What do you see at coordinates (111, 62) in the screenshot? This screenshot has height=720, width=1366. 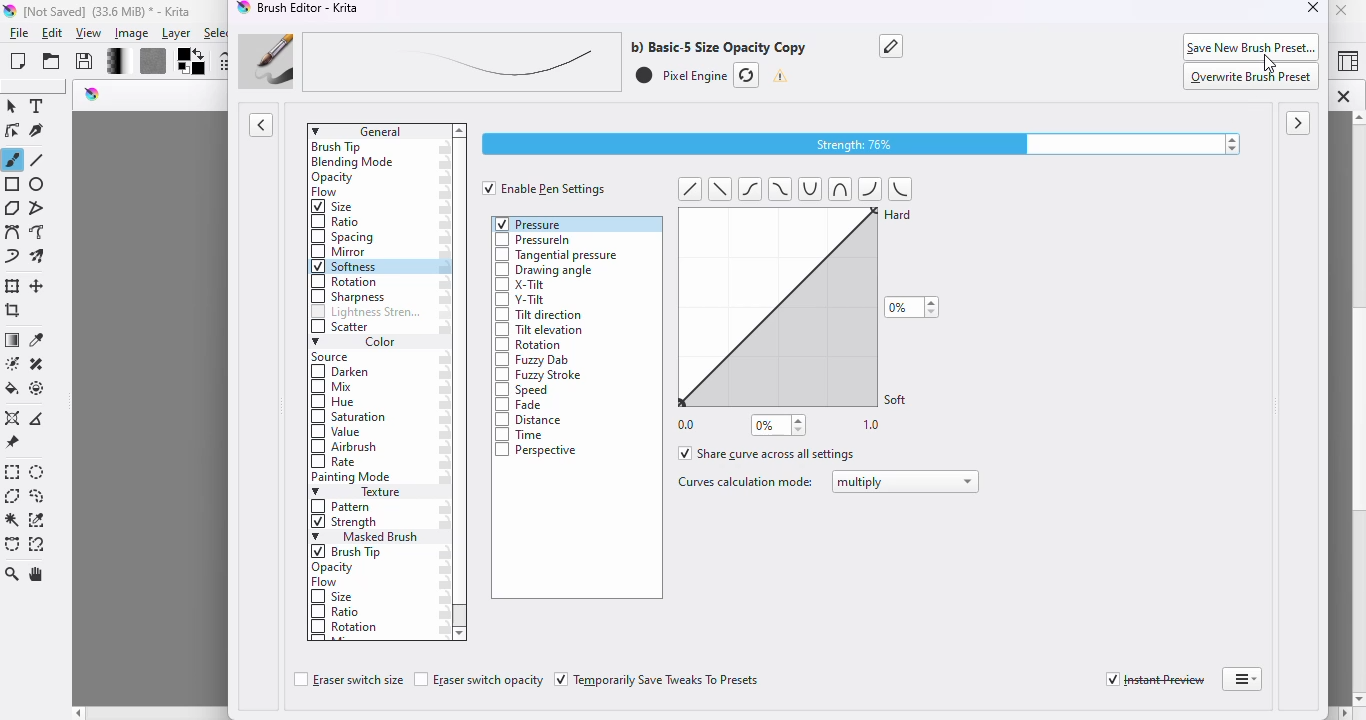 I see `fill gradients` at bounding box center [111, 62].